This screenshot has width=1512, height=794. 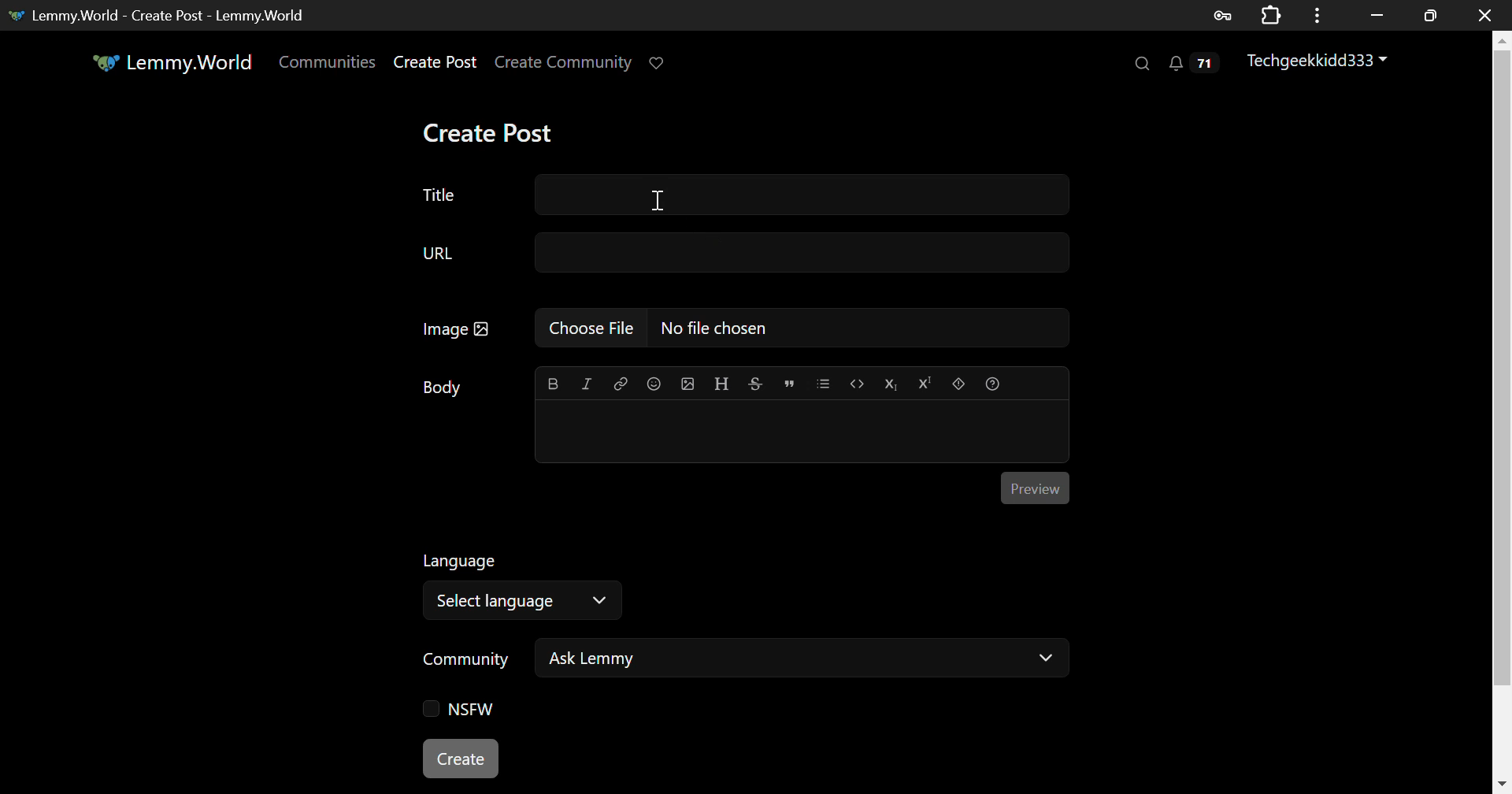 What do you see at coordinates (1271, 13) in the screenshot?
I see `Extensions` at bounding box center [1271, 13].